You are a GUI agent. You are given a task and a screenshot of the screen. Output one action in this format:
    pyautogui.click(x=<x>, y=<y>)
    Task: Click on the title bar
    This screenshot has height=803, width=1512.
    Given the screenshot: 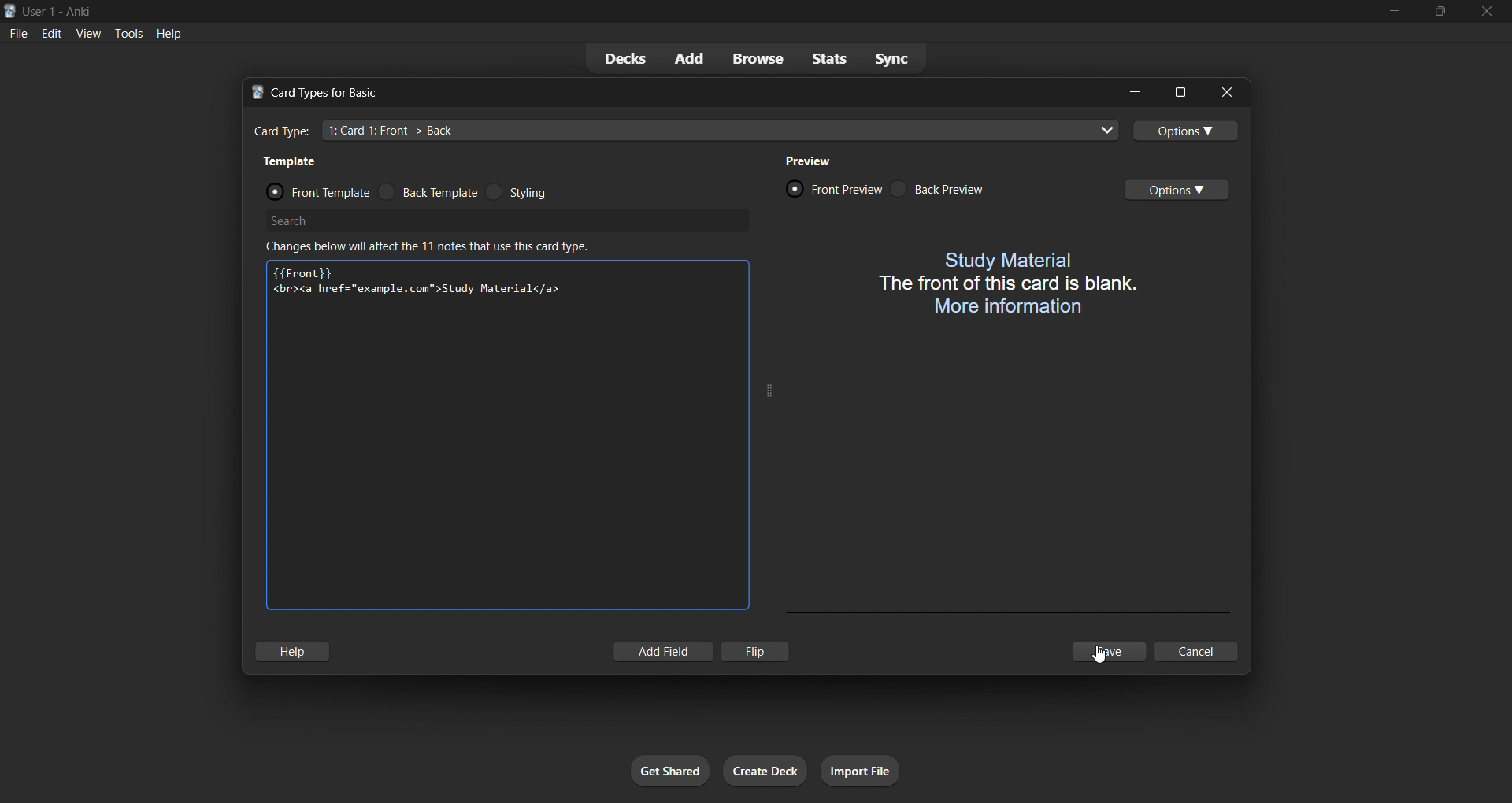 What is the action you would take?
    pyautogui.click(x=672, y=93)
    